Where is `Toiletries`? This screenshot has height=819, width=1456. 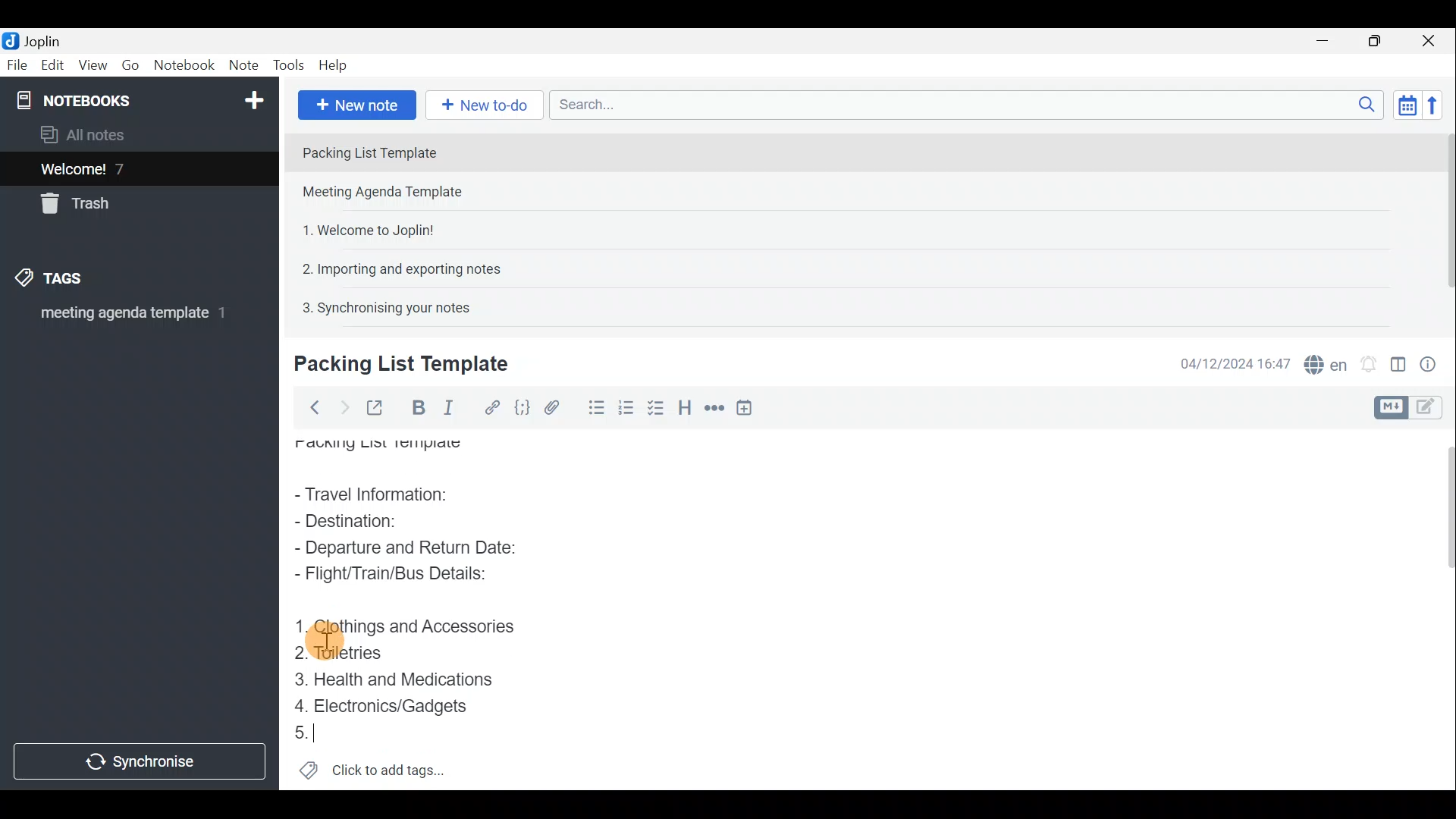
Toiletries is located at coordinates (345, 654).